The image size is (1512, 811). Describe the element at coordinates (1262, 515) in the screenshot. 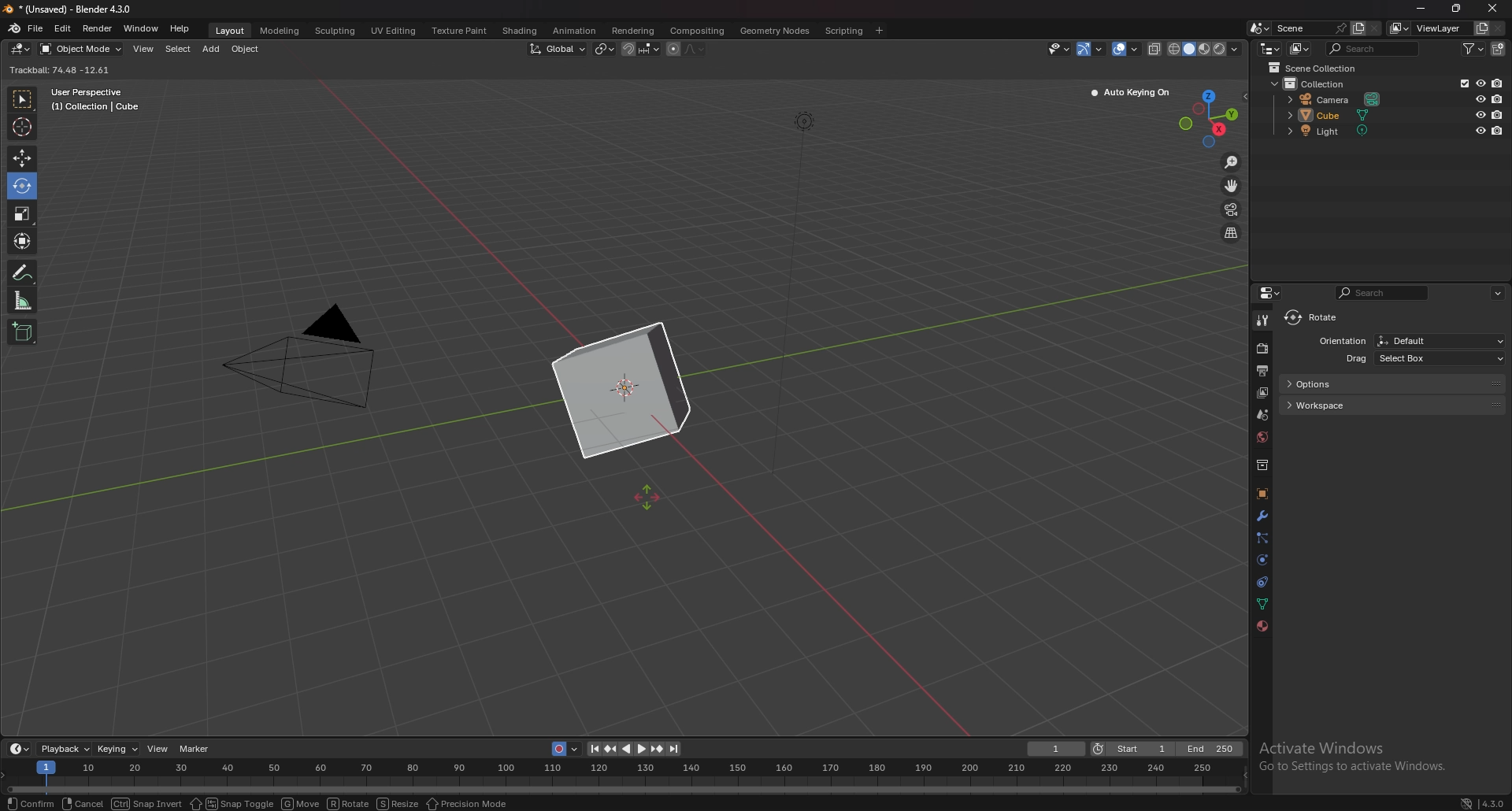

I see `modifier` at that location.